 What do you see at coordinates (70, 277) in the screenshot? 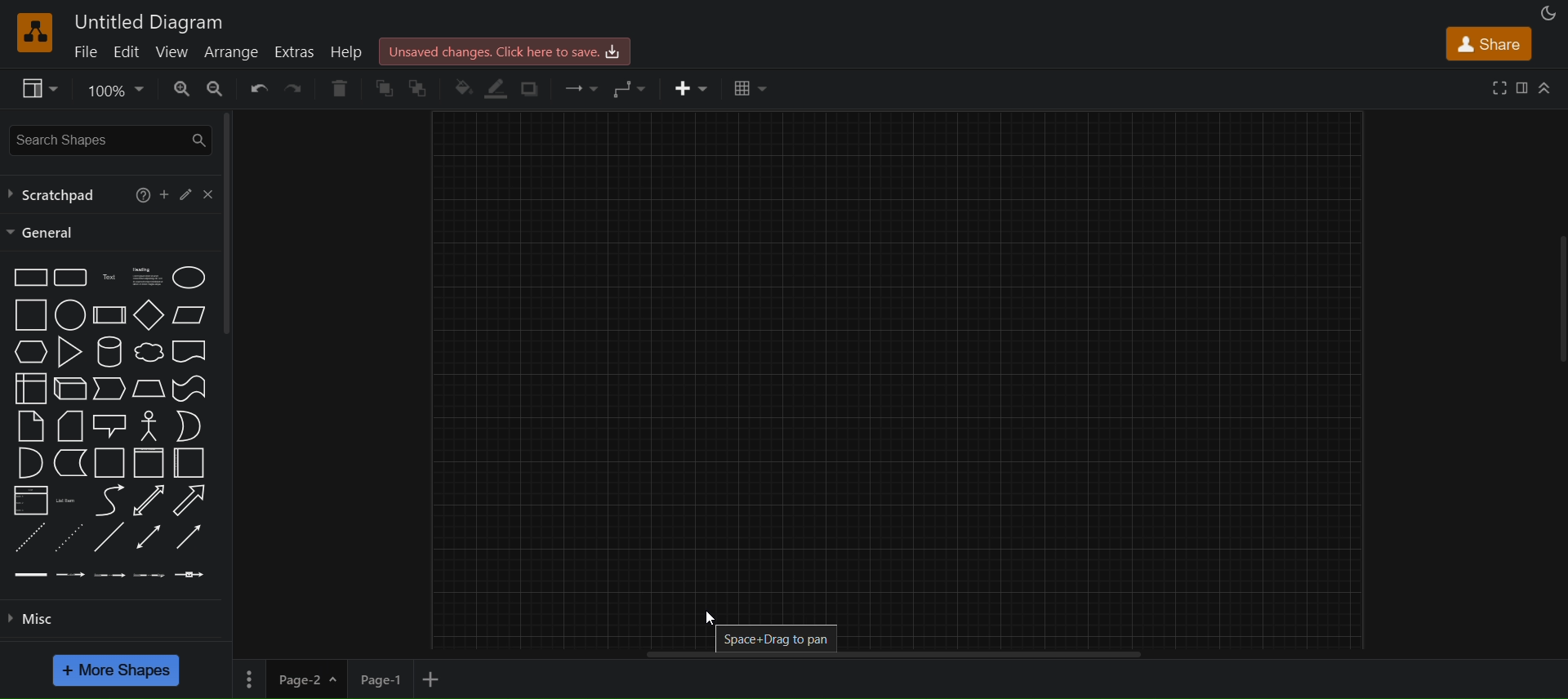
I see `rounded rectangle` at bounding box center [70, 277].